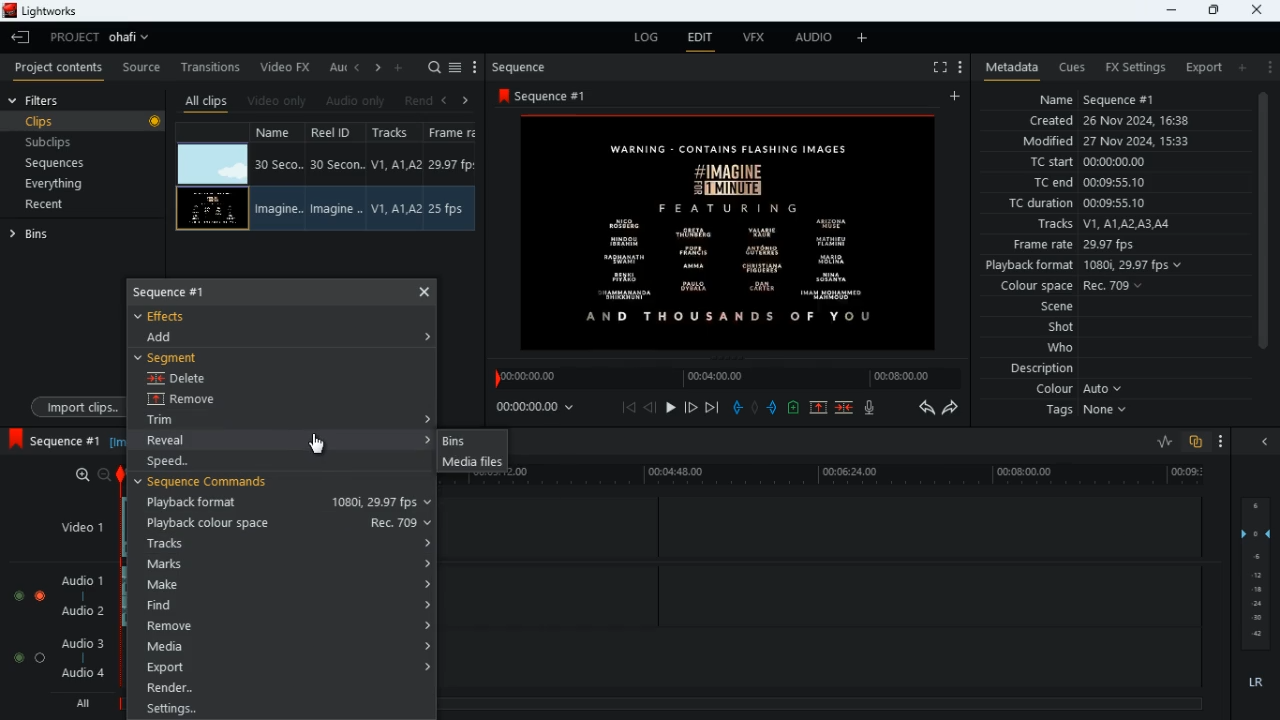  What do you see at coordinates (1047, 307) in the screenshot?
I see `scene` at bounding box center [1047, 307].